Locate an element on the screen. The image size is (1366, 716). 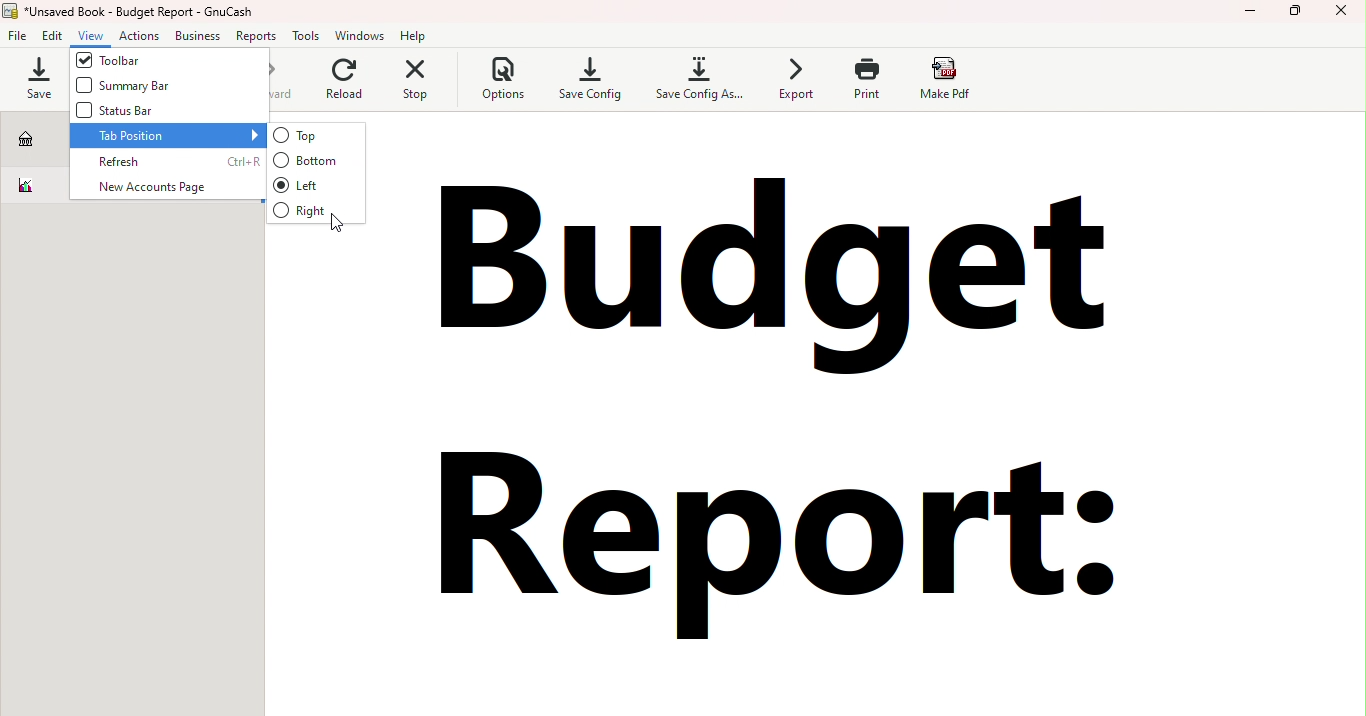
Close is located at coordinates (1341, 13).